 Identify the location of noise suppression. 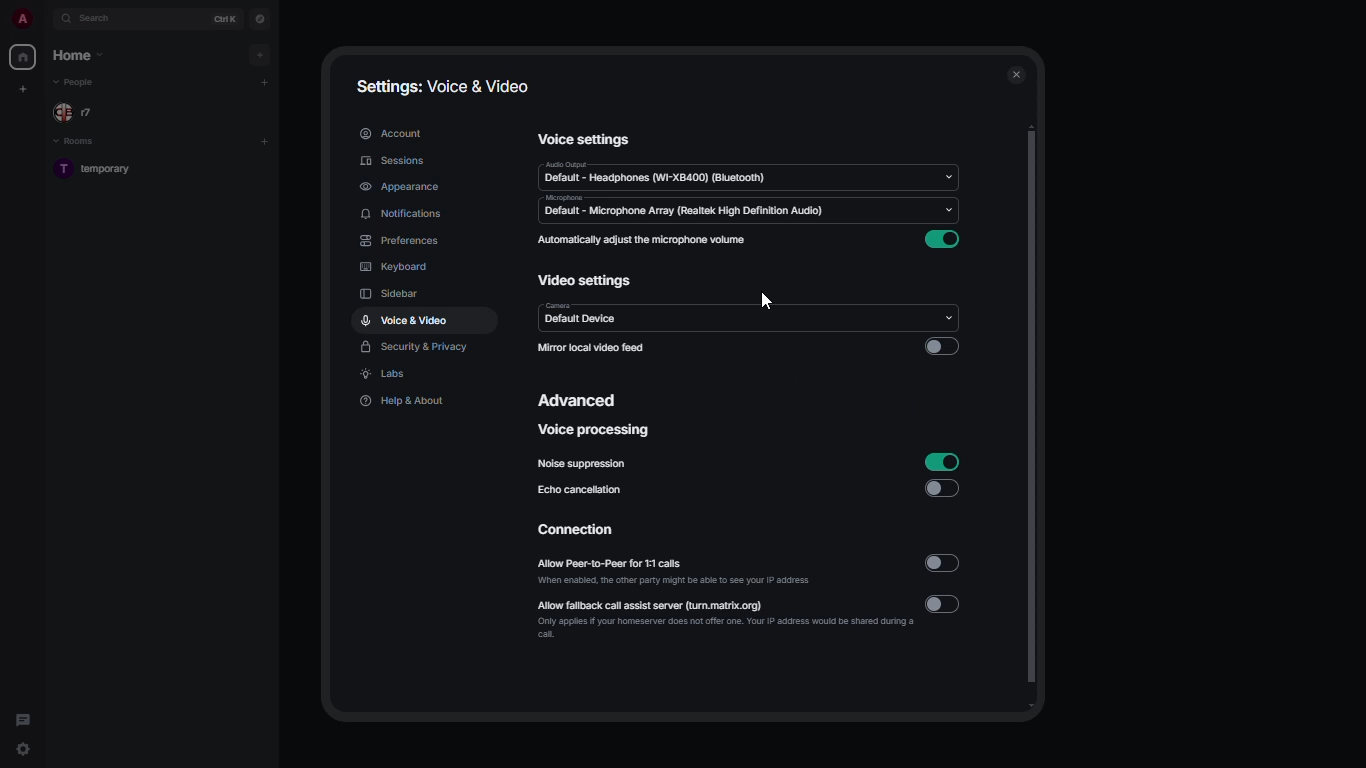
(585, 463).